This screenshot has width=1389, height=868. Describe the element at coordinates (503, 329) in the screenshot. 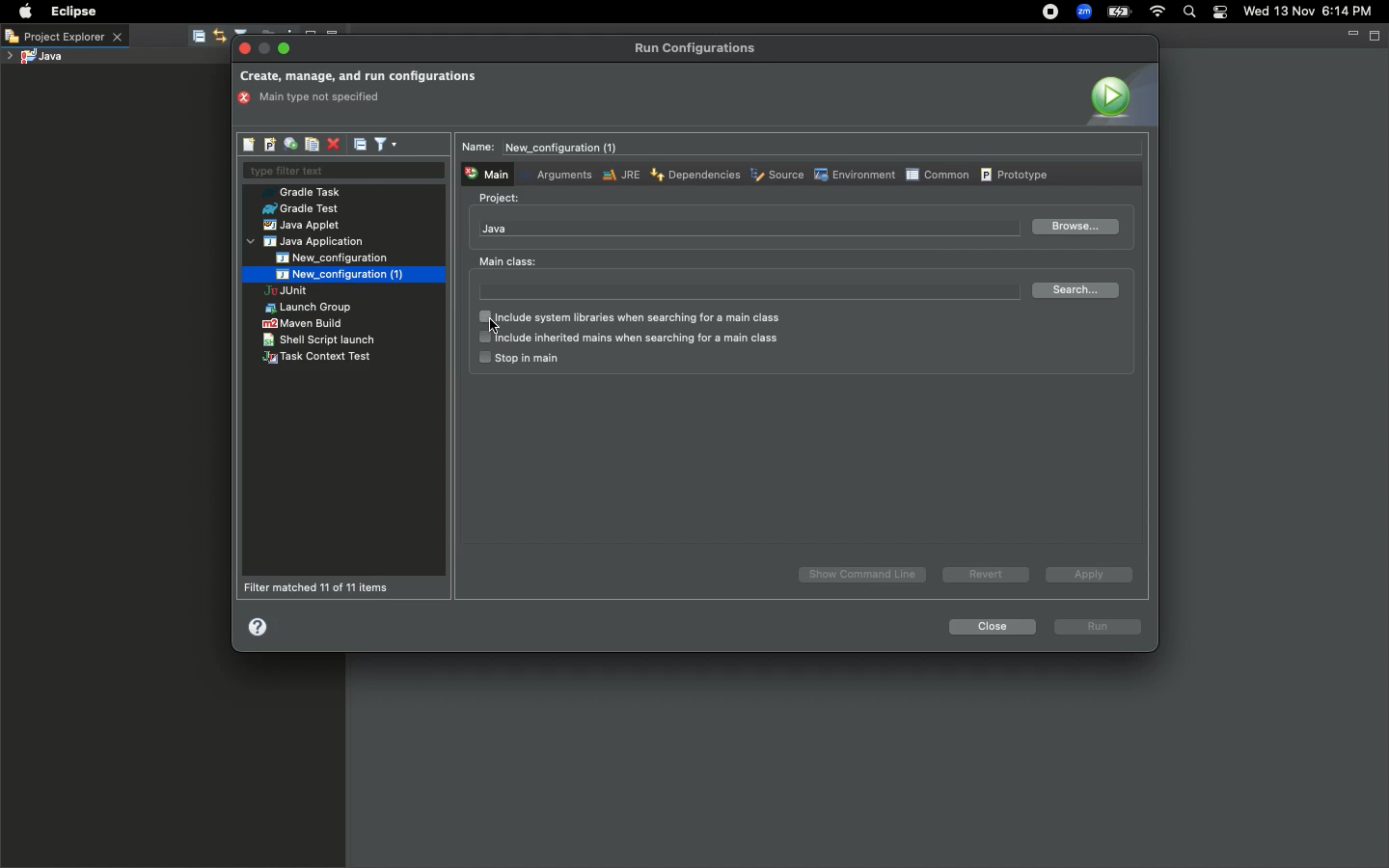

I see `cursor` at that location.